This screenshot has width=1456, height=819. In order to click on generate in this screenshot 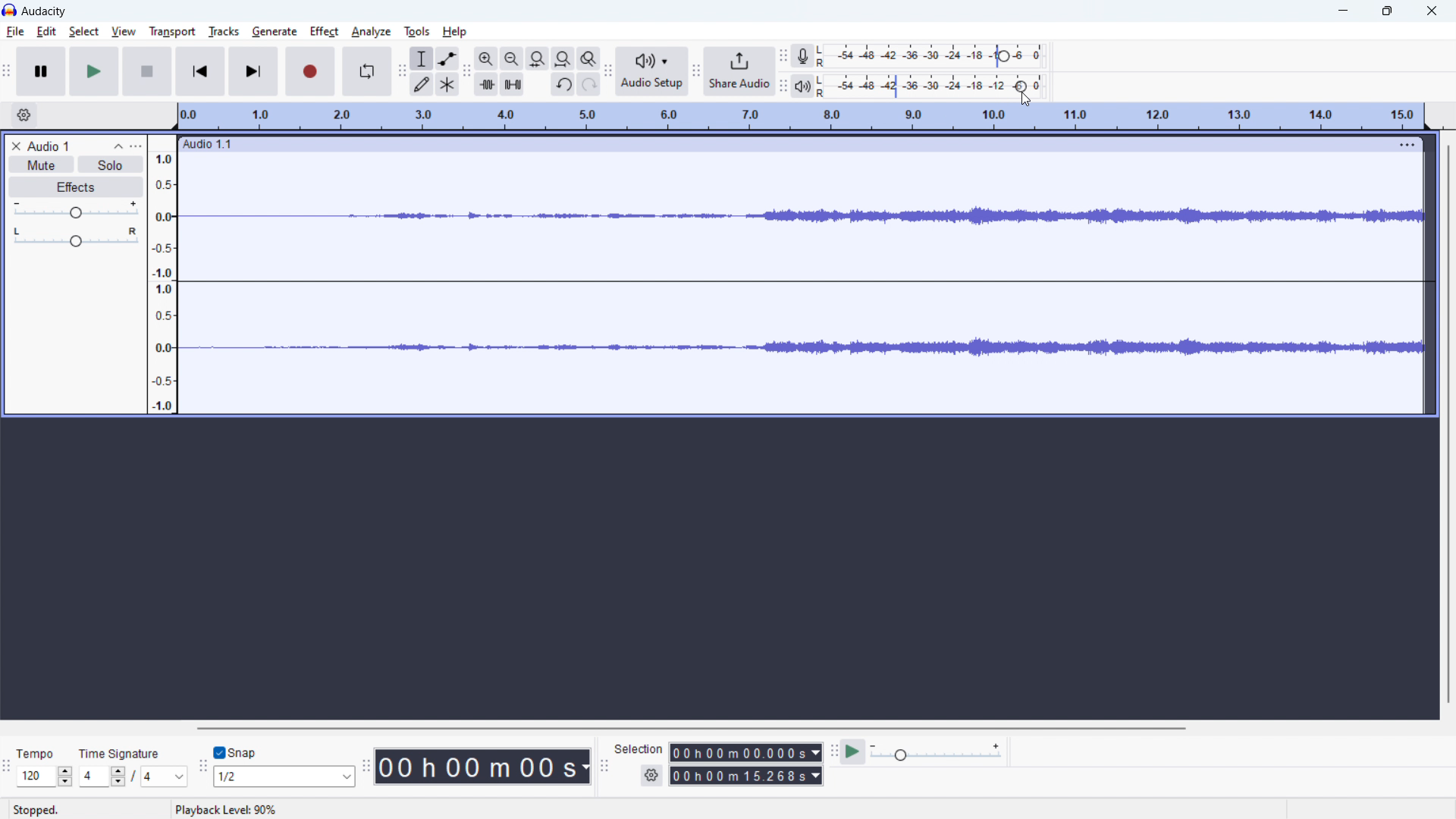, I will do `click(275, 31)`.